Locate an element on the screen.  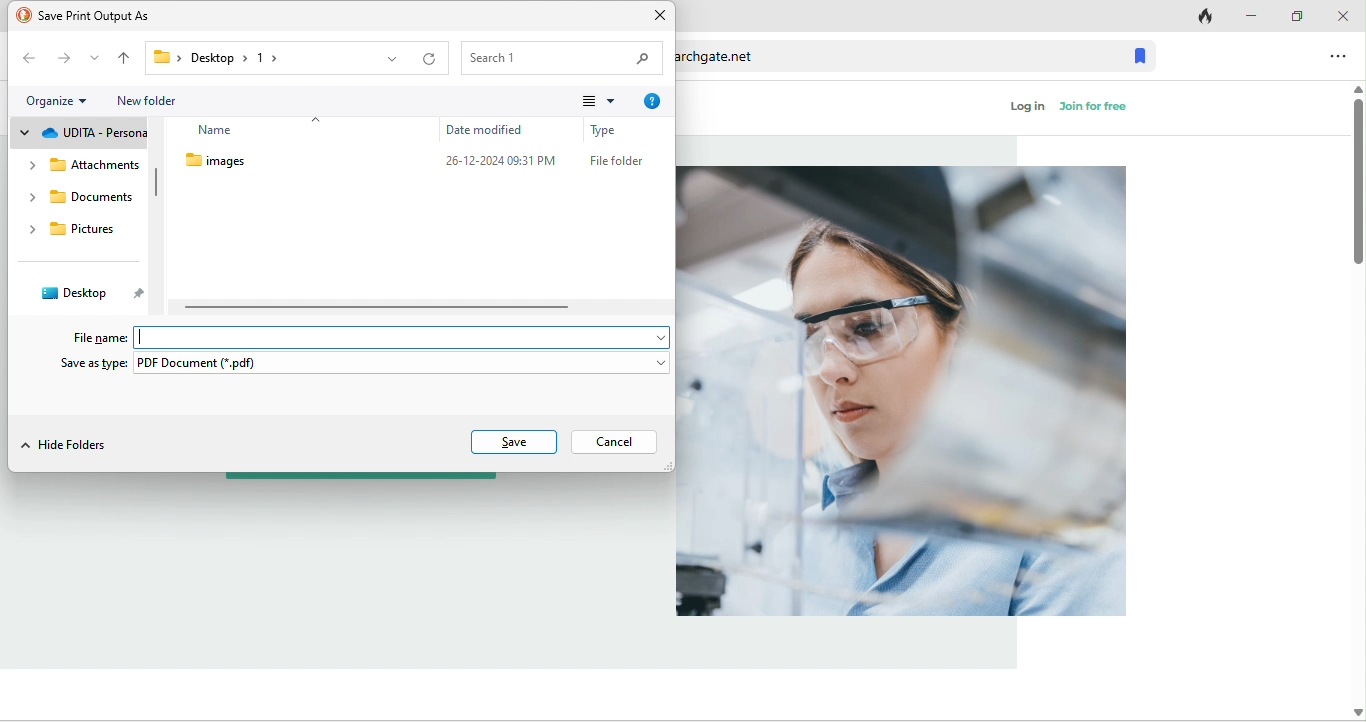
bookmark is located at coordinates (1141, 53).